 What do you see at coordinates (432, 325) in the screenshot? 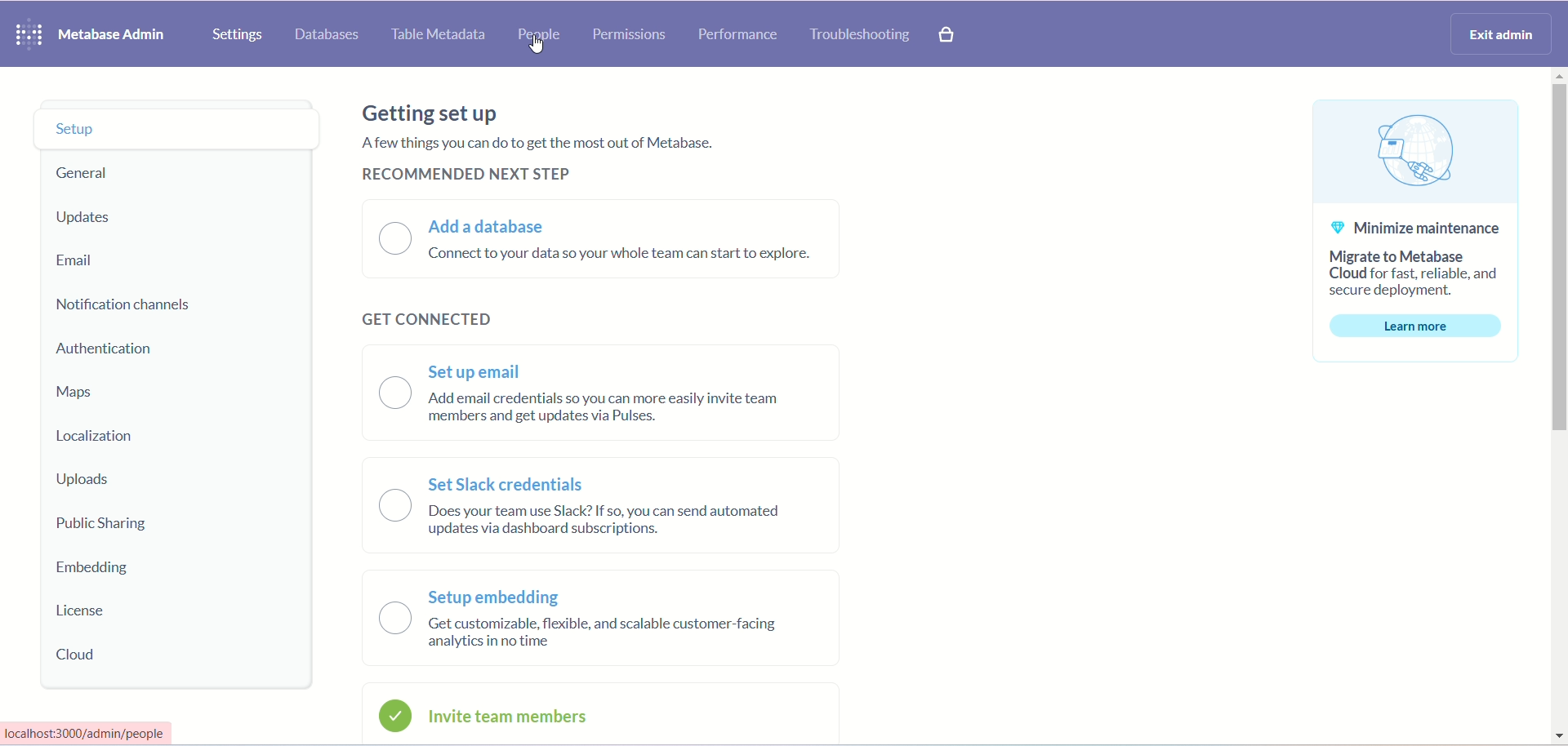
I see `get connected` at bounding box center [432, 325].